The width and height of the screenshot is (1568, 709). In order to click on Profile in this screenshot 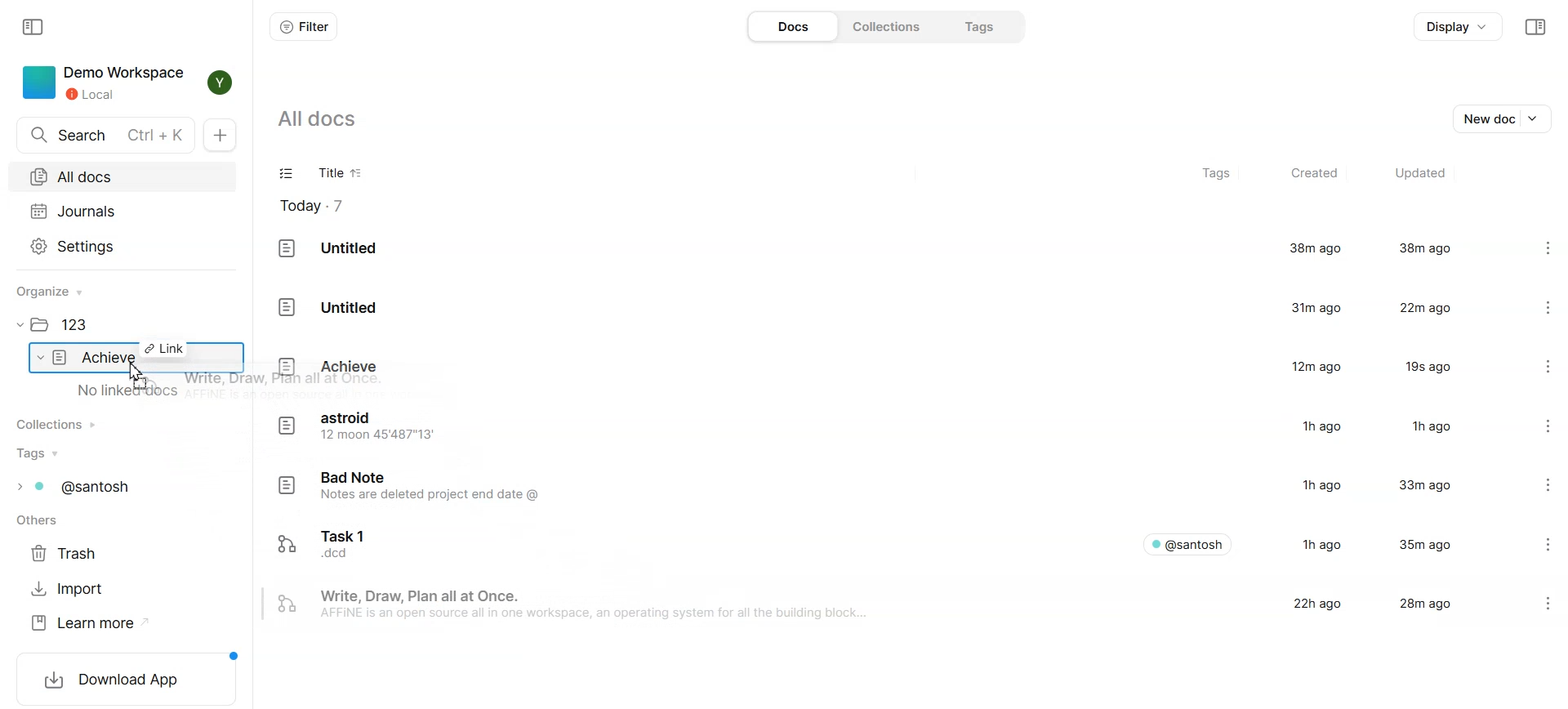, I will do `click(216, 82)`.